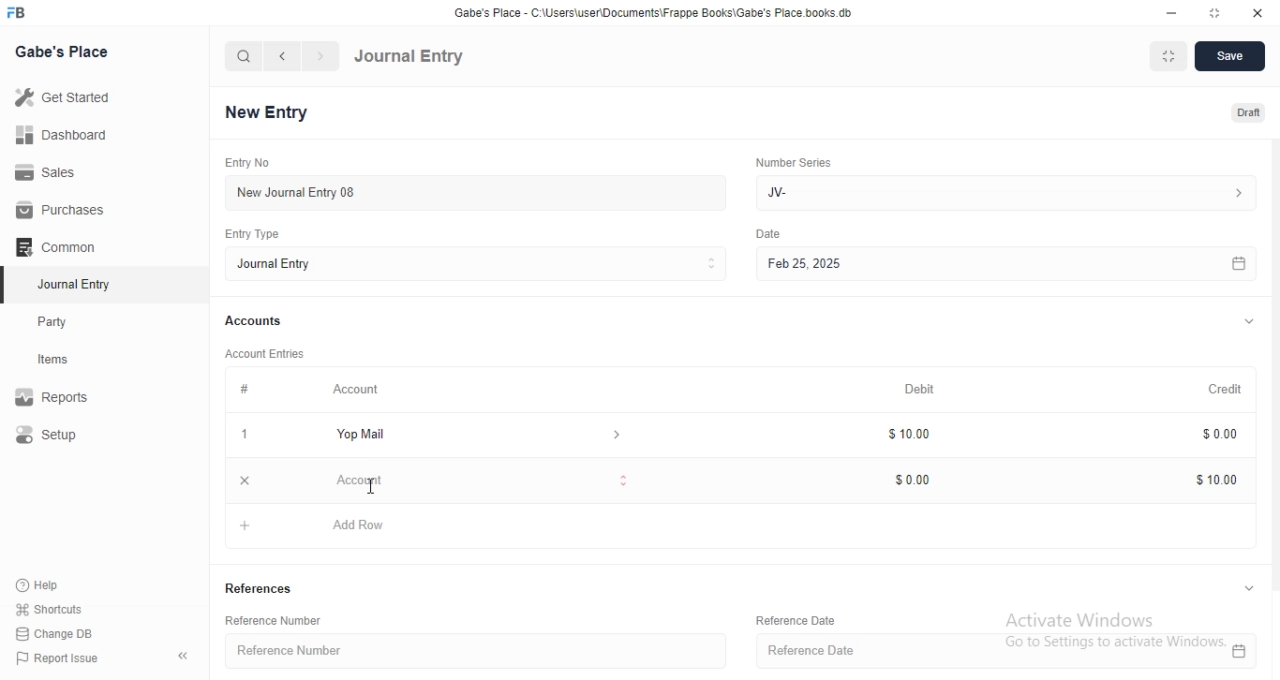 The height and width of the screenshot is (680, 1280). I want to click on Help, so click(63, 584).